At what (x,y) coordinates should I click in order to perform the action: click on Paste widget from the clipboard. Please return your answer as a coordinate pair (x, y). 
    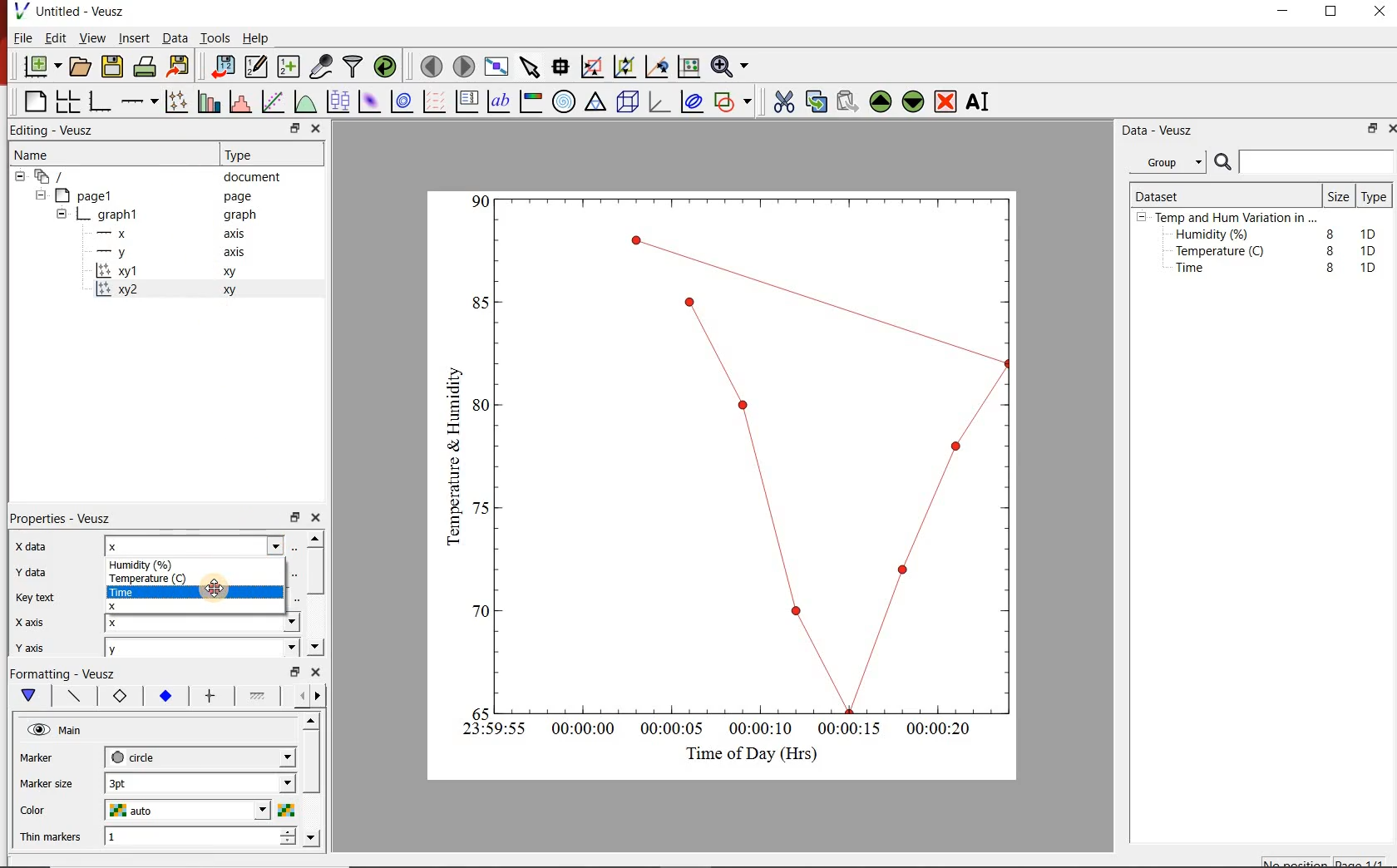
    Looking at the image, I should click on (848, 101).